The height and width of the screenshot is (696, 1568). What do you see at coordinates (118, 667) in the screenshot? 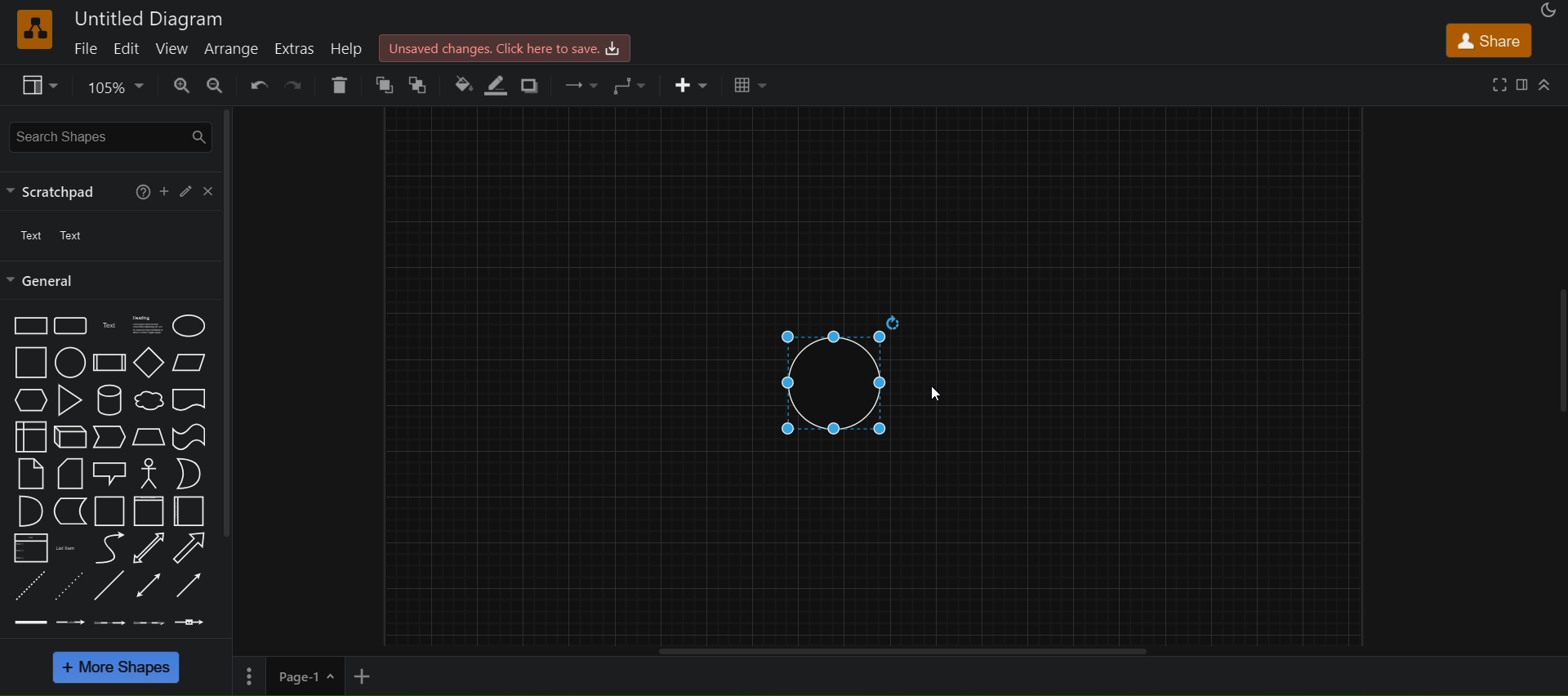
I see `more shapes` at bounding box center [118, 667].